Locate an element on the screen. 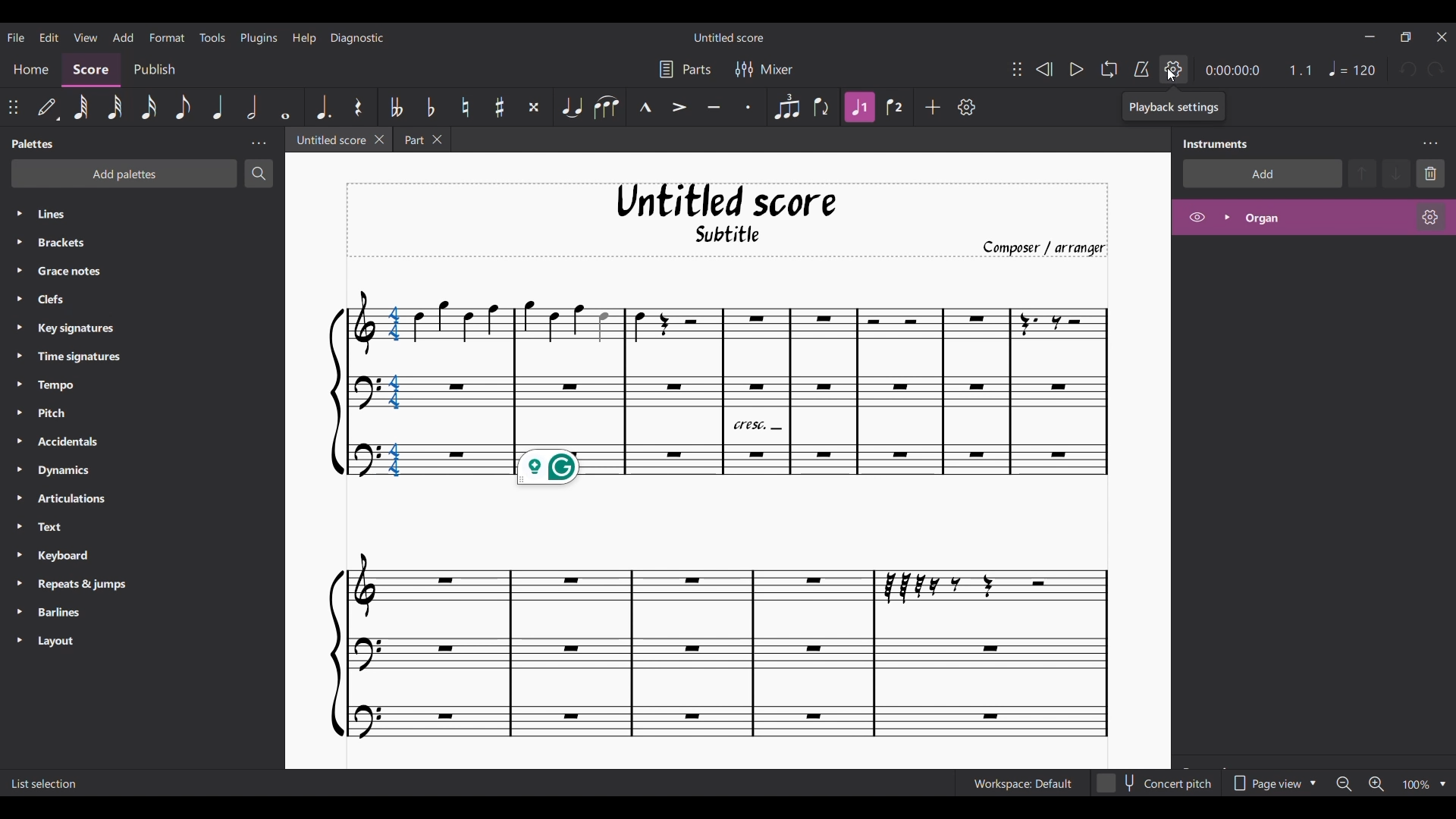 This screenshot has height=819, width=1456. Toggle sharp is located at coordinates (500, 107).